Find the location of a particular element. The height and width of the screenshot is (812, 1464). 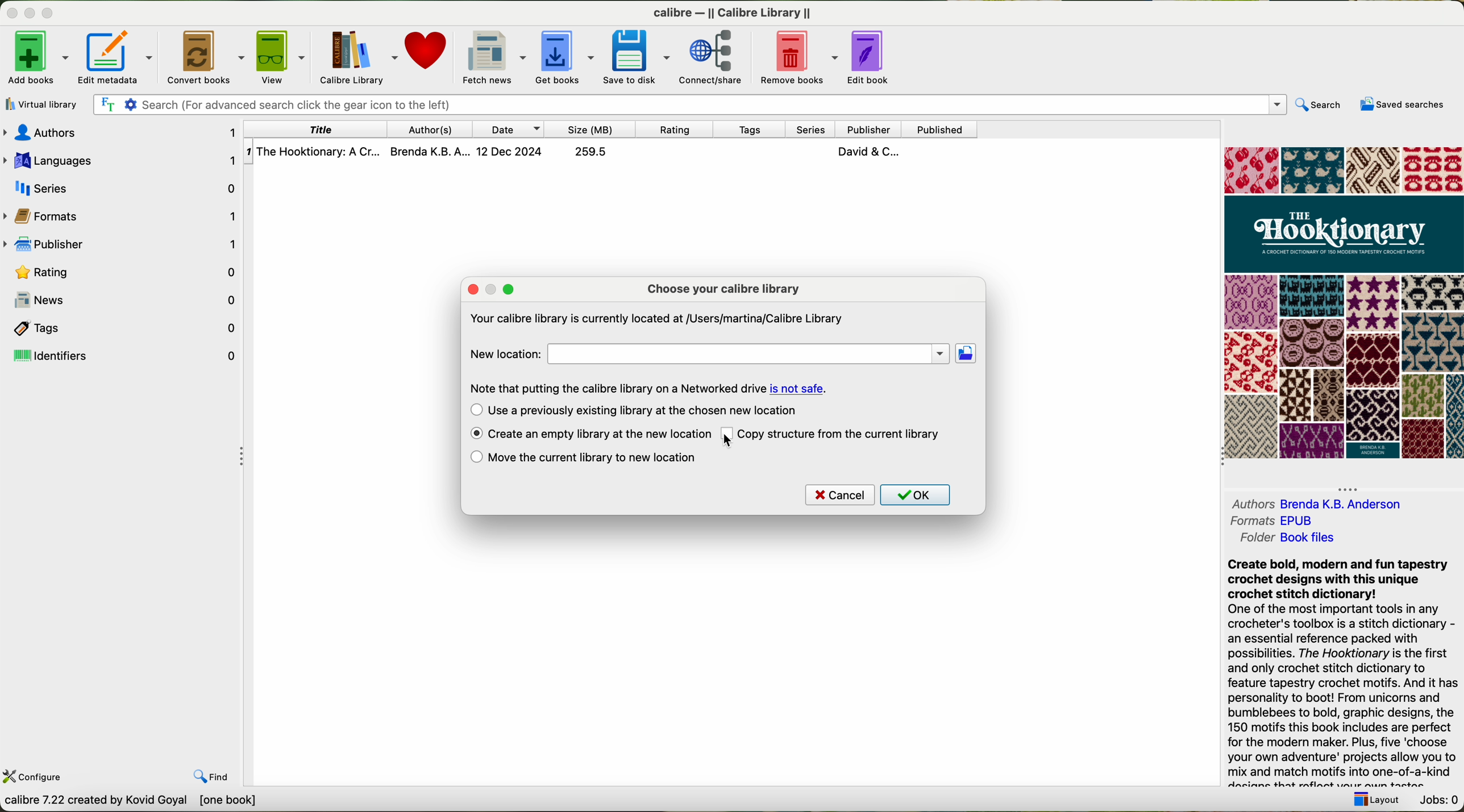

Settings is located at coordinates (132, 104).